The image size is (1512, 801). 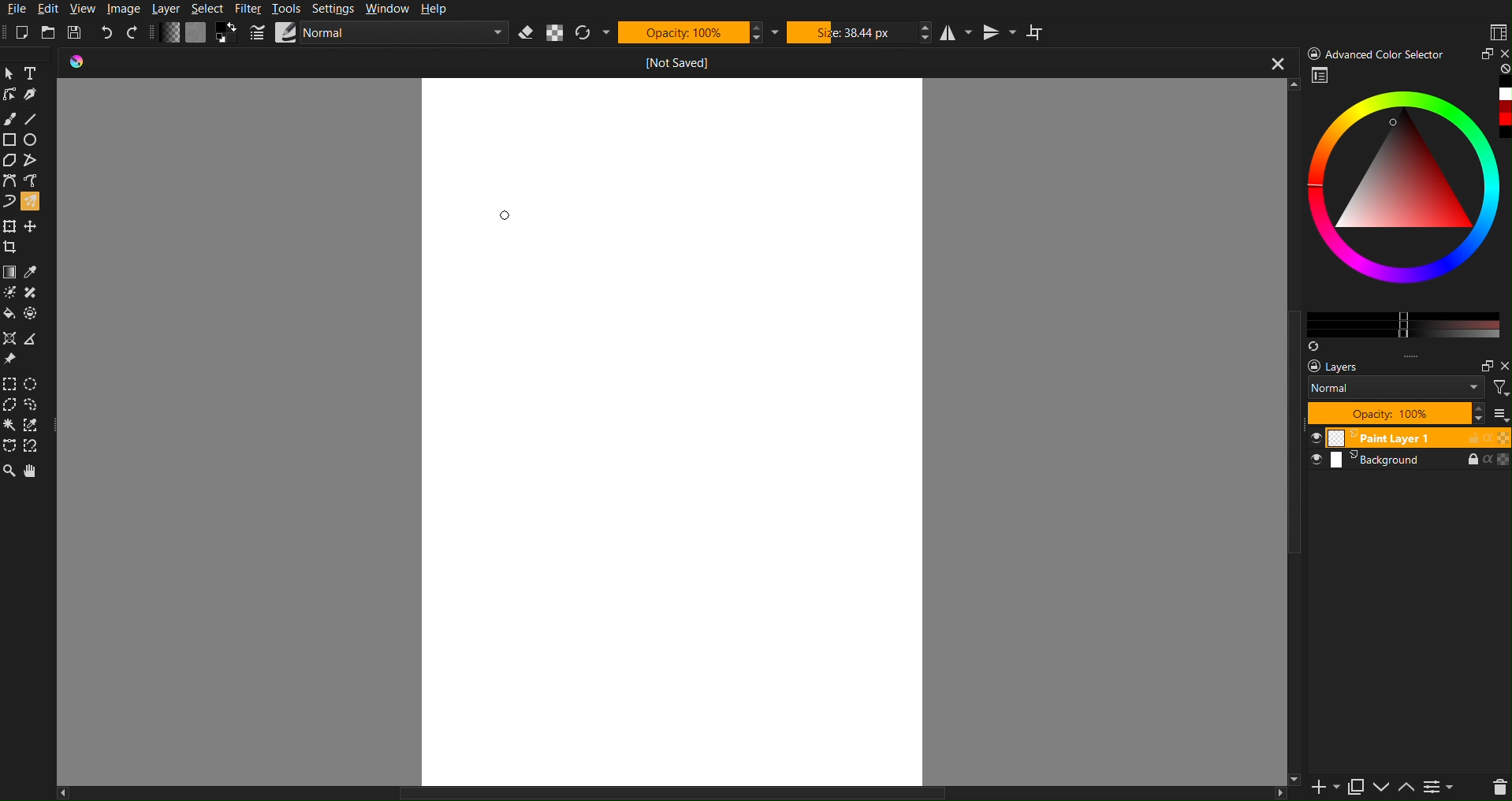 What do you see at coordinates (126, 9) in the screenshot?
I see `Image` at bounding box center [126, 9].